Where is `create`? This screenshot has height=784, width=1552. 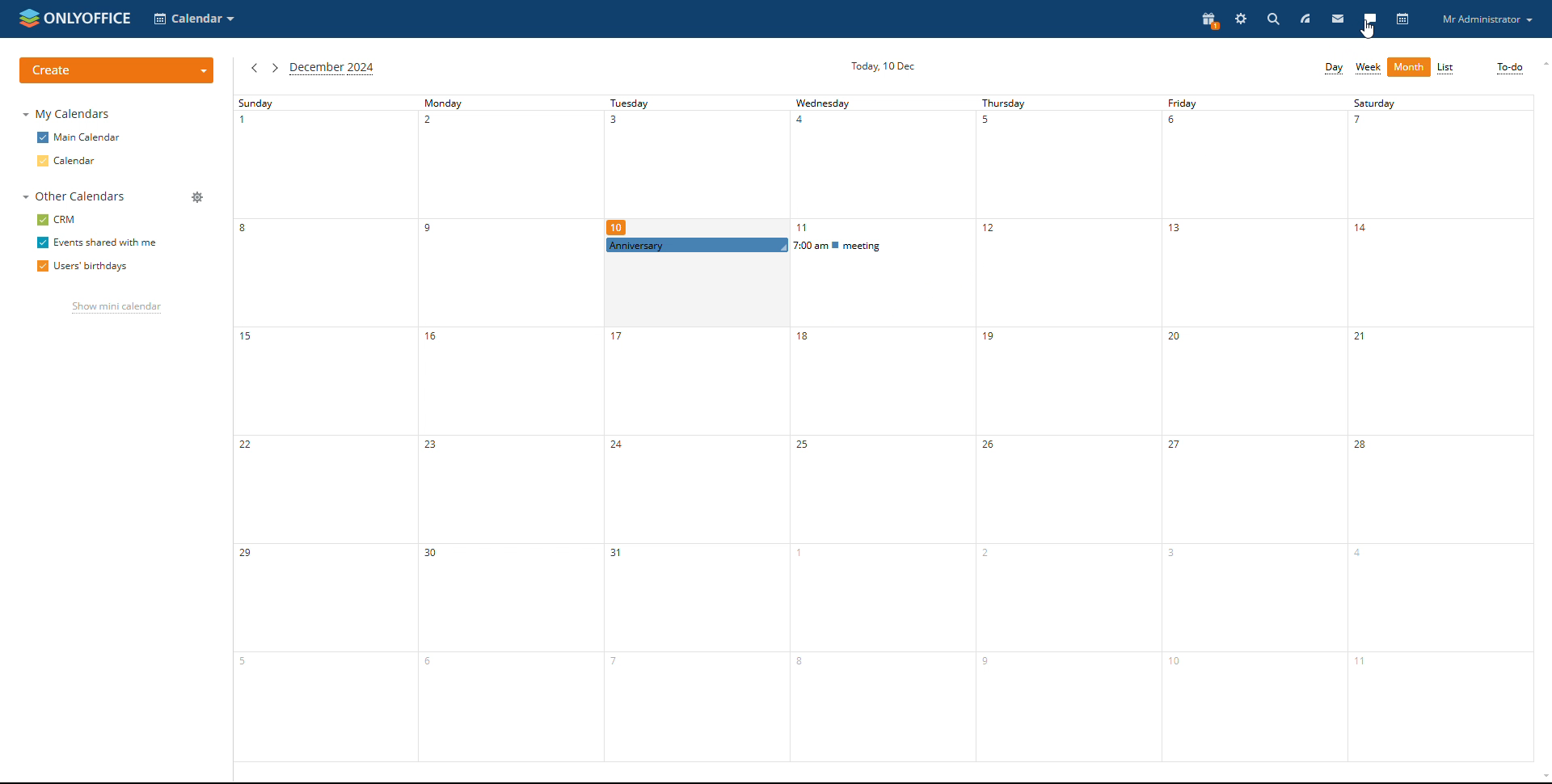 create is located at coordinates (116, 70).